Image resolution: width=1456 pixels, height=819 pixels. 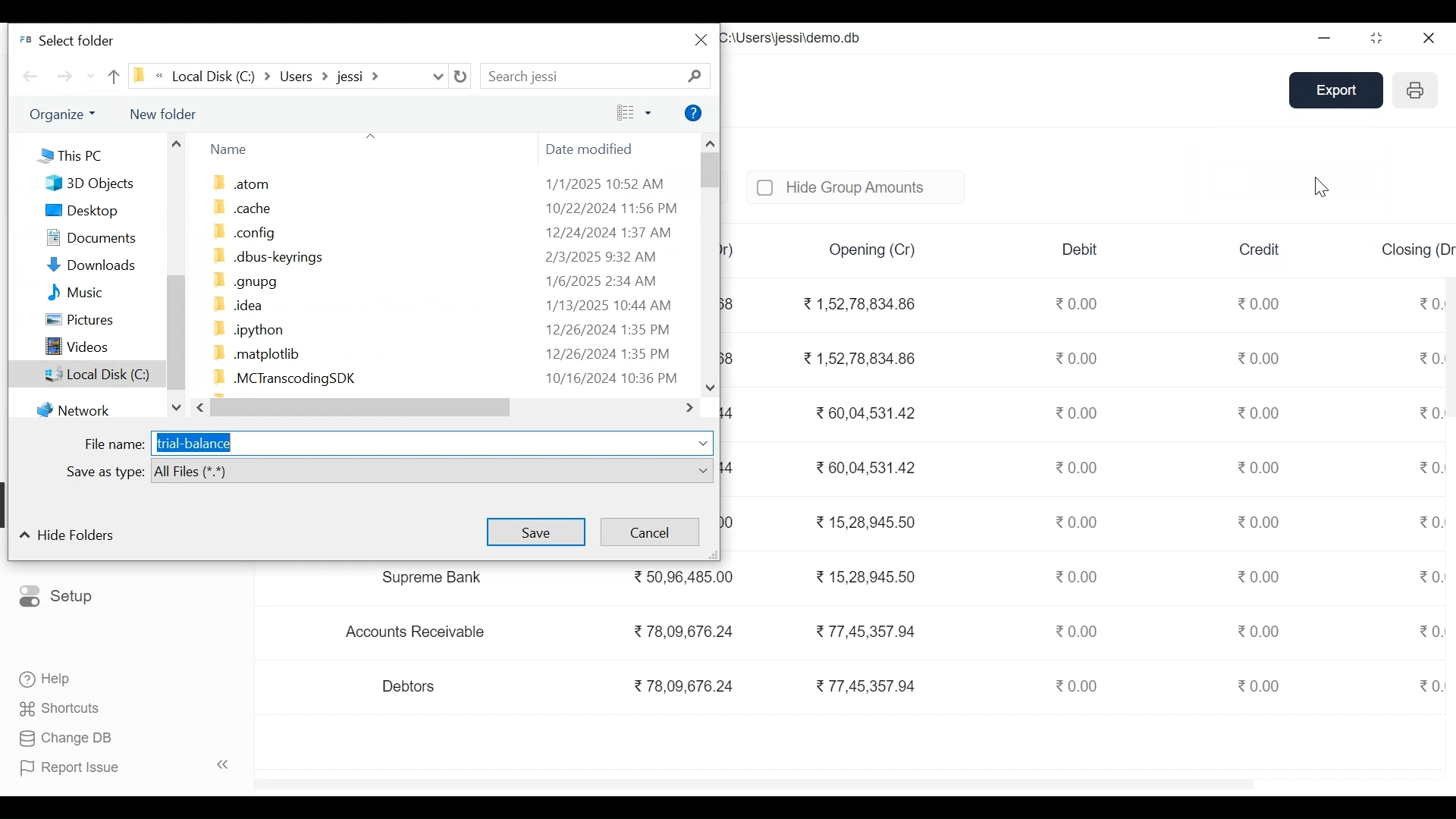 I want to click on 0.00, so click(x=1260, y=357).